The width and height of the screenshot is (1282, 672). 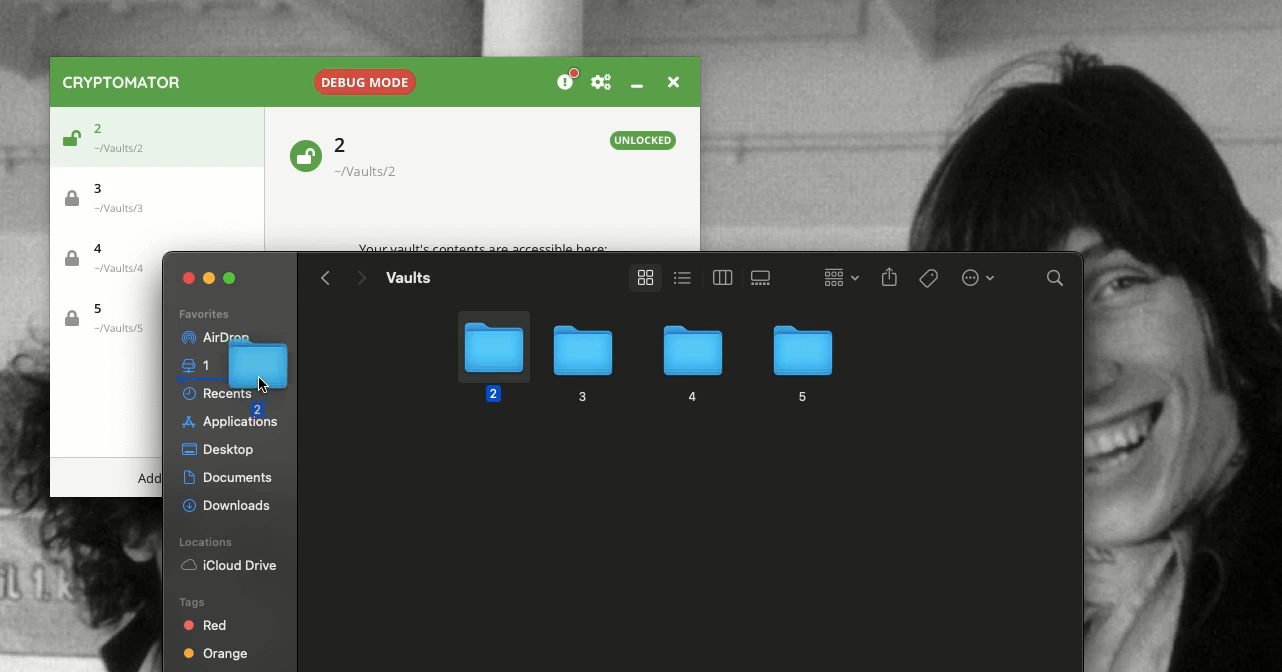 What do you see at coordinates (690, 365) in the screenshot?
I see `4` at bounding box center [690, 365].